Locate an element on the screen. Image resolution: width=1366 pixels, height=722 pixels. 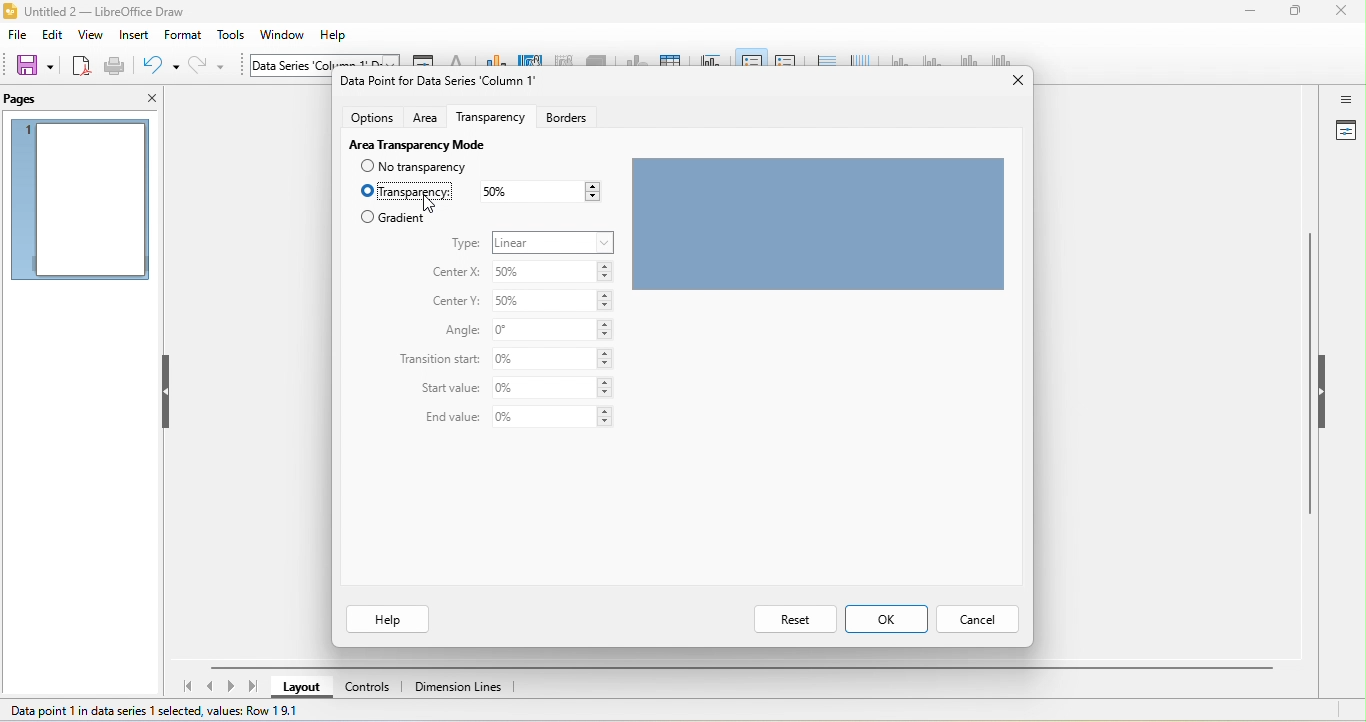
data table is located at coordinates (669, 58).